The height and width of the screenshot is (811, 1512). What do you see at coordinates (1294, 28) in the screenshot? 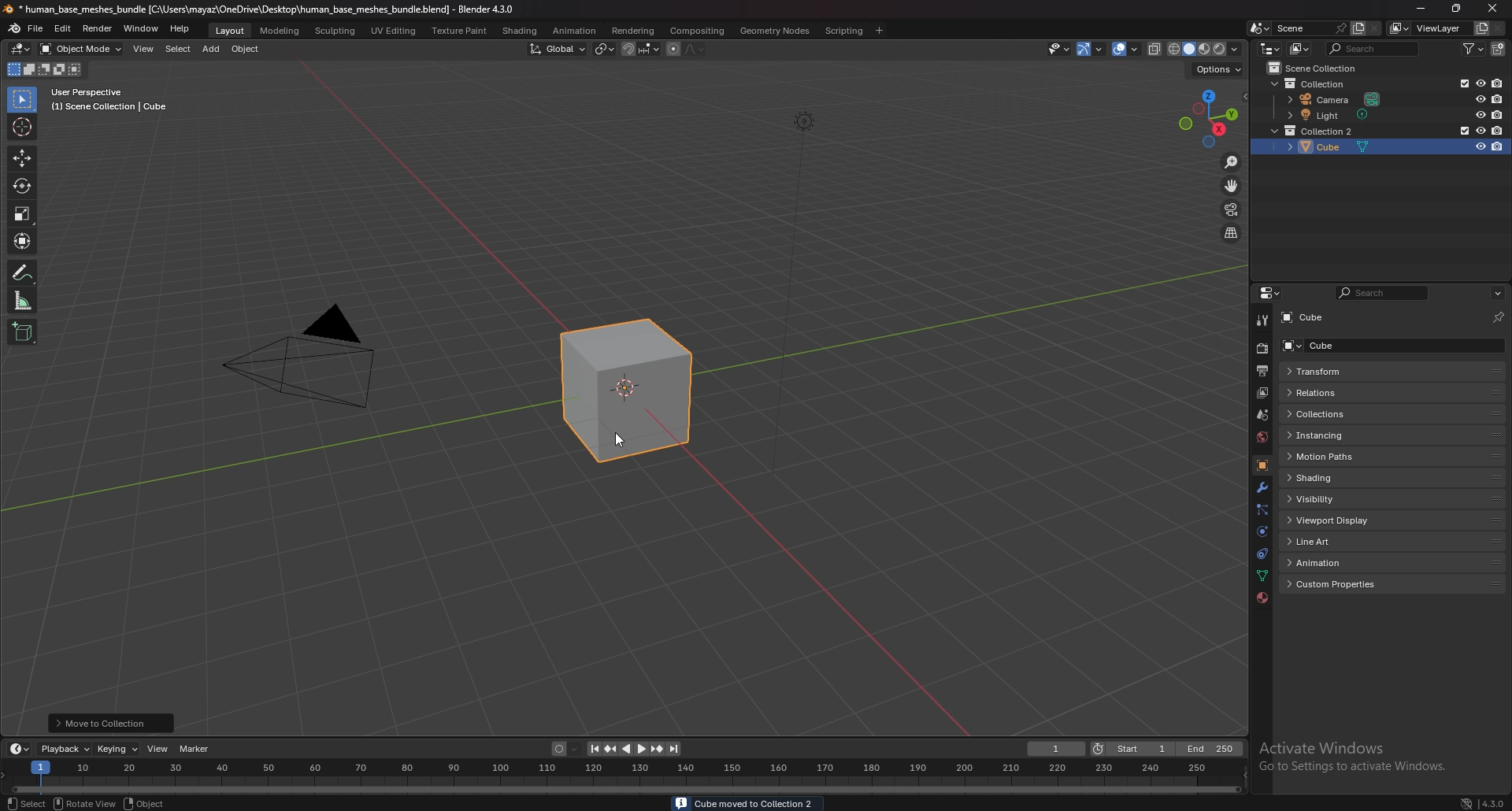
I see `scene` at bounding box center [1294, 28].